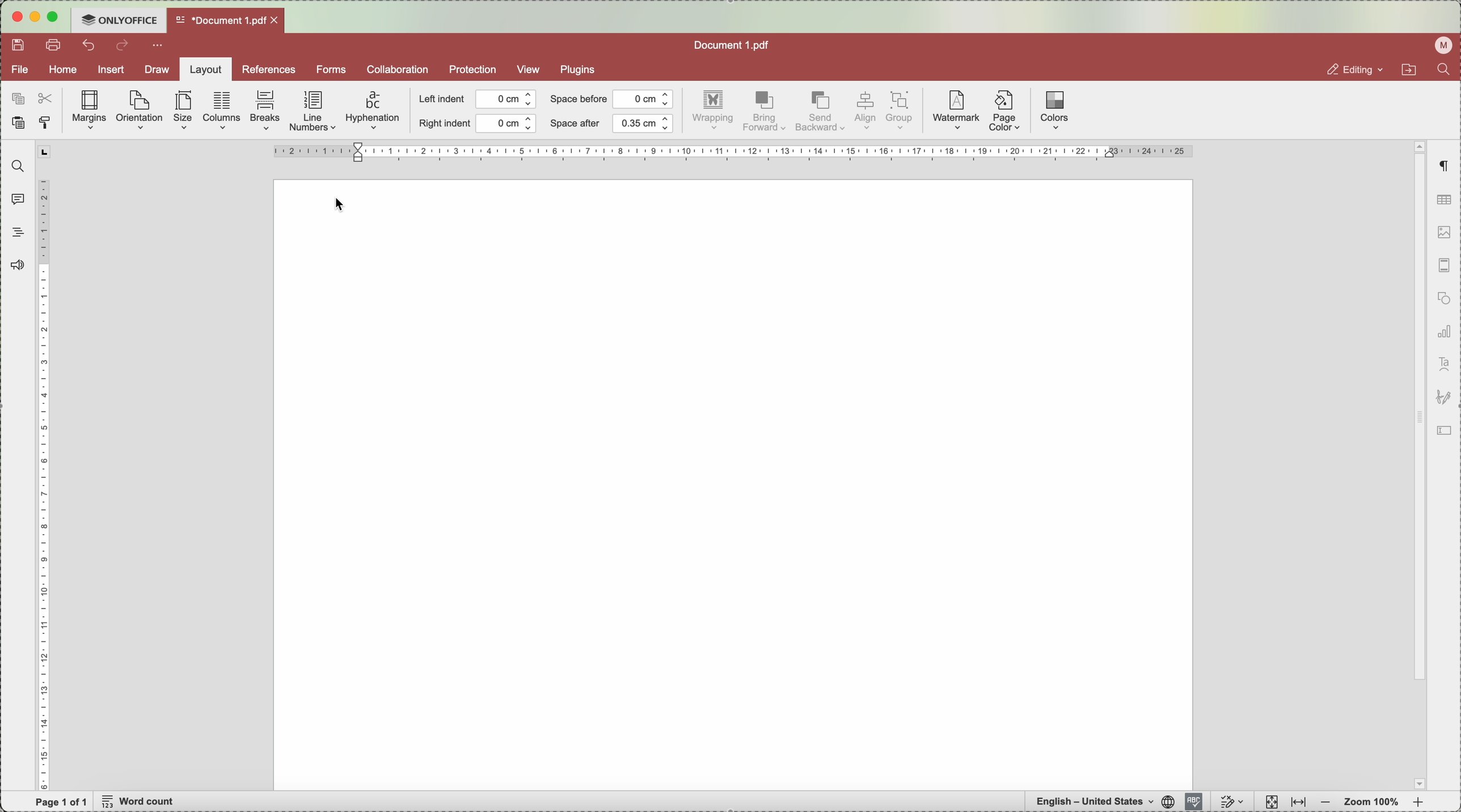 This screenshot has height=812, width=1461. I want to click on paste, so click(18, 125).